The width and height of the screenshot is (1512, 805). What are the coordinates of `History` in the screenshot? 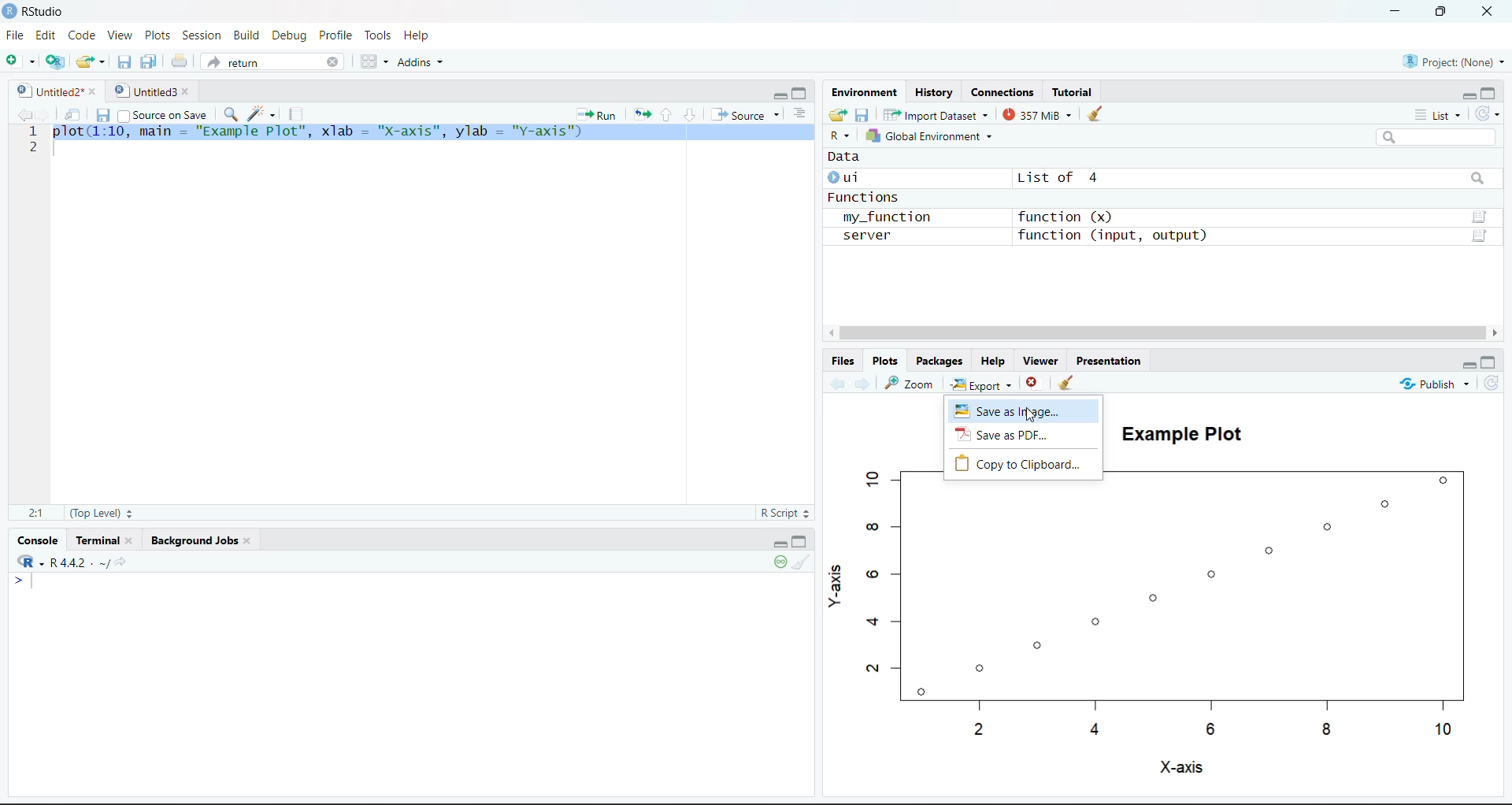 It's located at (934, 91).